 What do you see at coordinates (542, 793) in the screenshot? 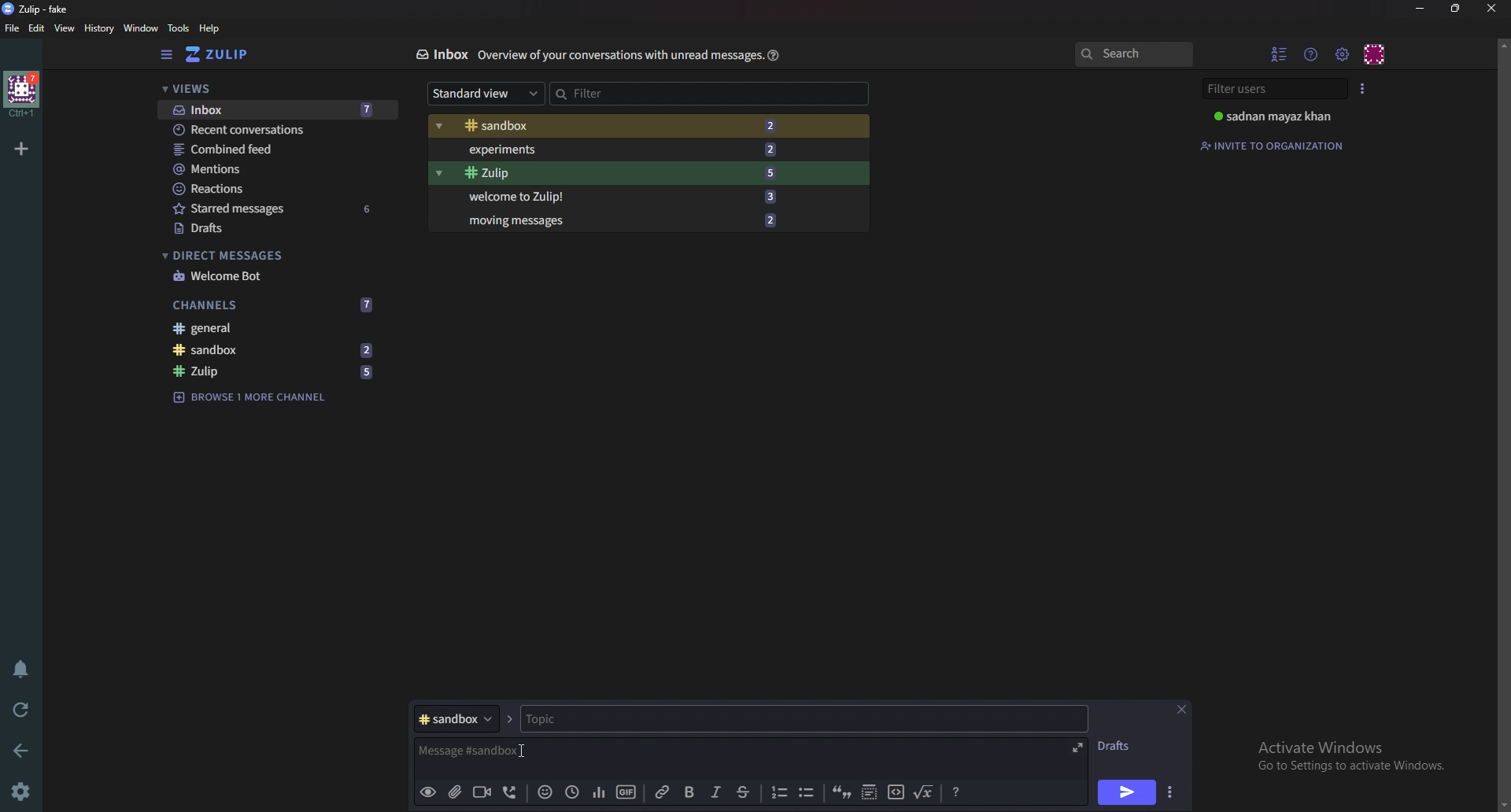
I see `Emoji` at bounding box center [542, 793].